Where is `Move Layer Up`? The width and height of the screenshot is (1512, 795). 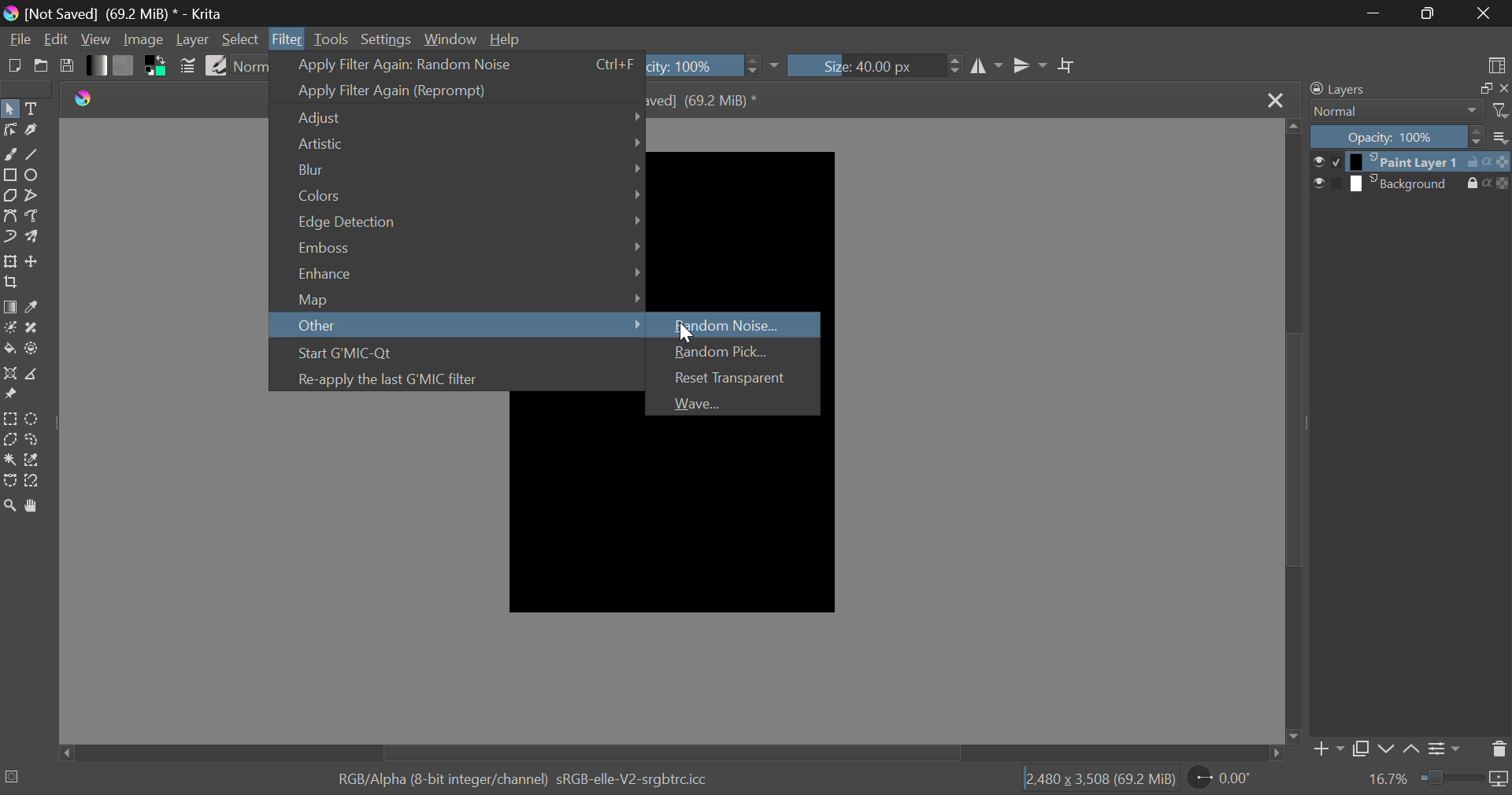
Move Layer Up is located at coordinates (1410, 747).